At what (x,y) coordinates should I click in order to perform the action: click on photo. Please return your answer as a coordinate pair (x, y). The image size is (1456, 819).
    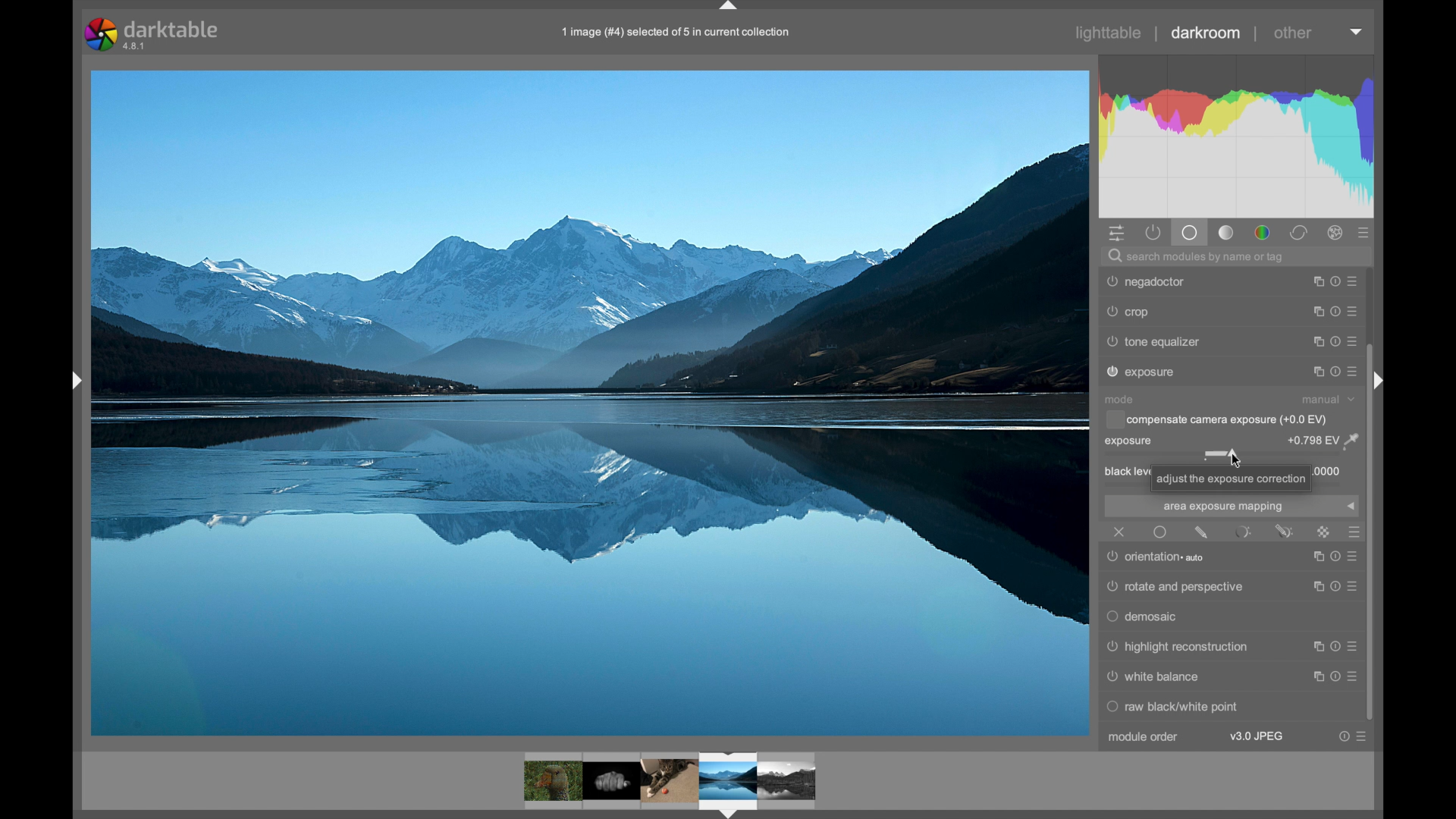
    Looking at the image, I should click on (590, 403).